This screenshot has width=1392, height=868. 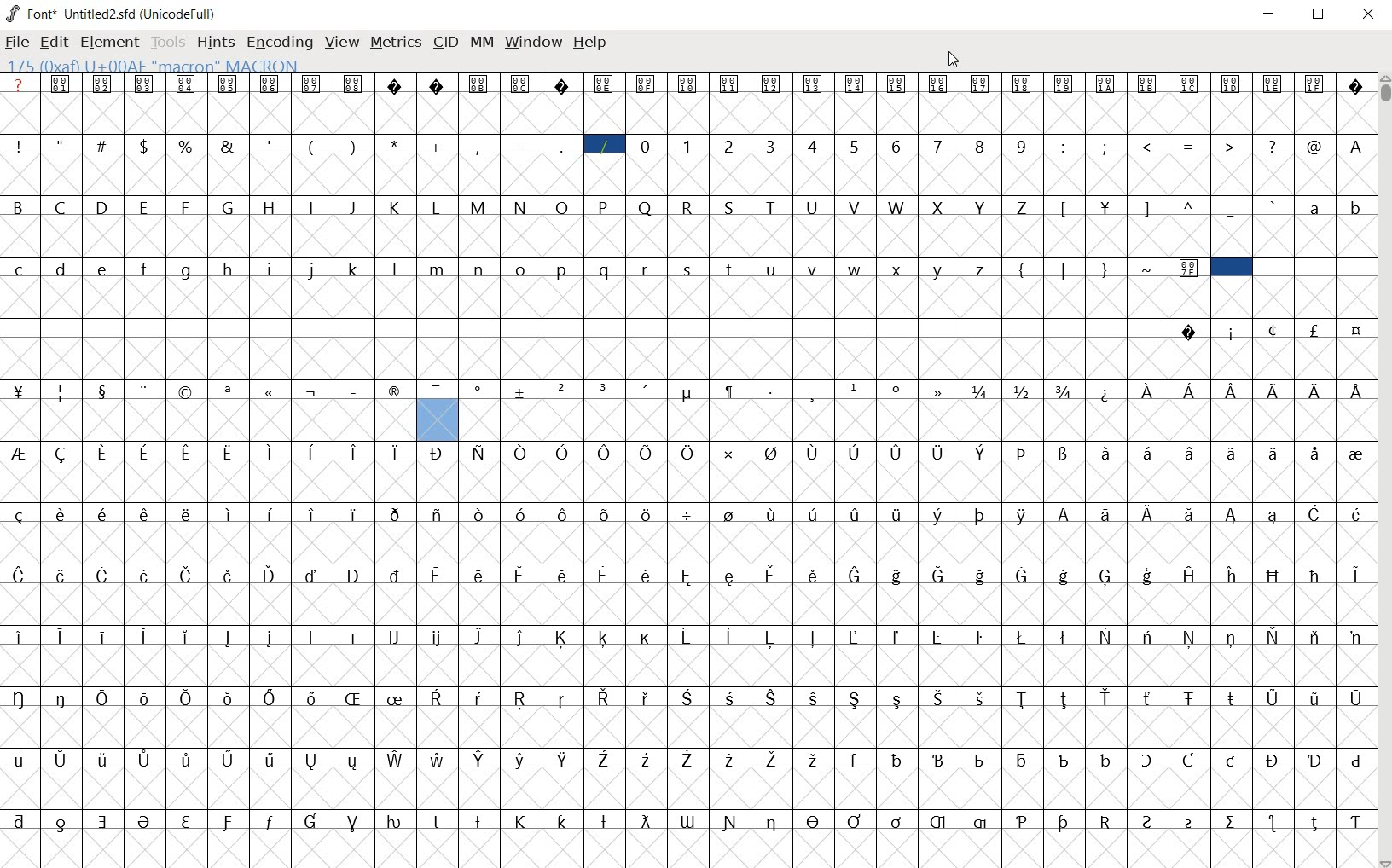 What do you see at coordinates (563, 574) in the screenshot?
I see `Symbol` at bounding box center [563, 574].